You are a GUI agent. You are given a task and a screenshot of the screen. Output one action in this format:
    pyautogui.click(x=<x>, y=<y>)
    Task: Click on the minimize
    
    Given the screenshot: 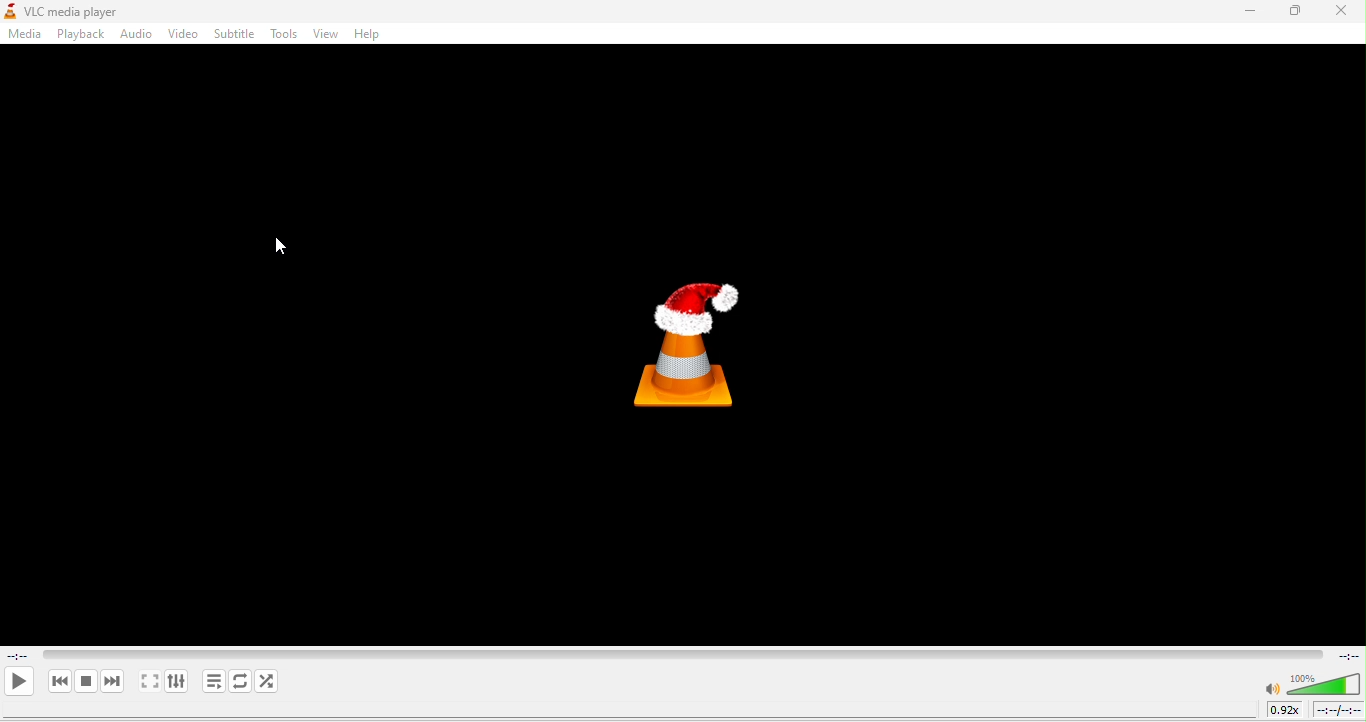 What is the action you would take?
    pyautogui.click(x=1250, y=11)
    